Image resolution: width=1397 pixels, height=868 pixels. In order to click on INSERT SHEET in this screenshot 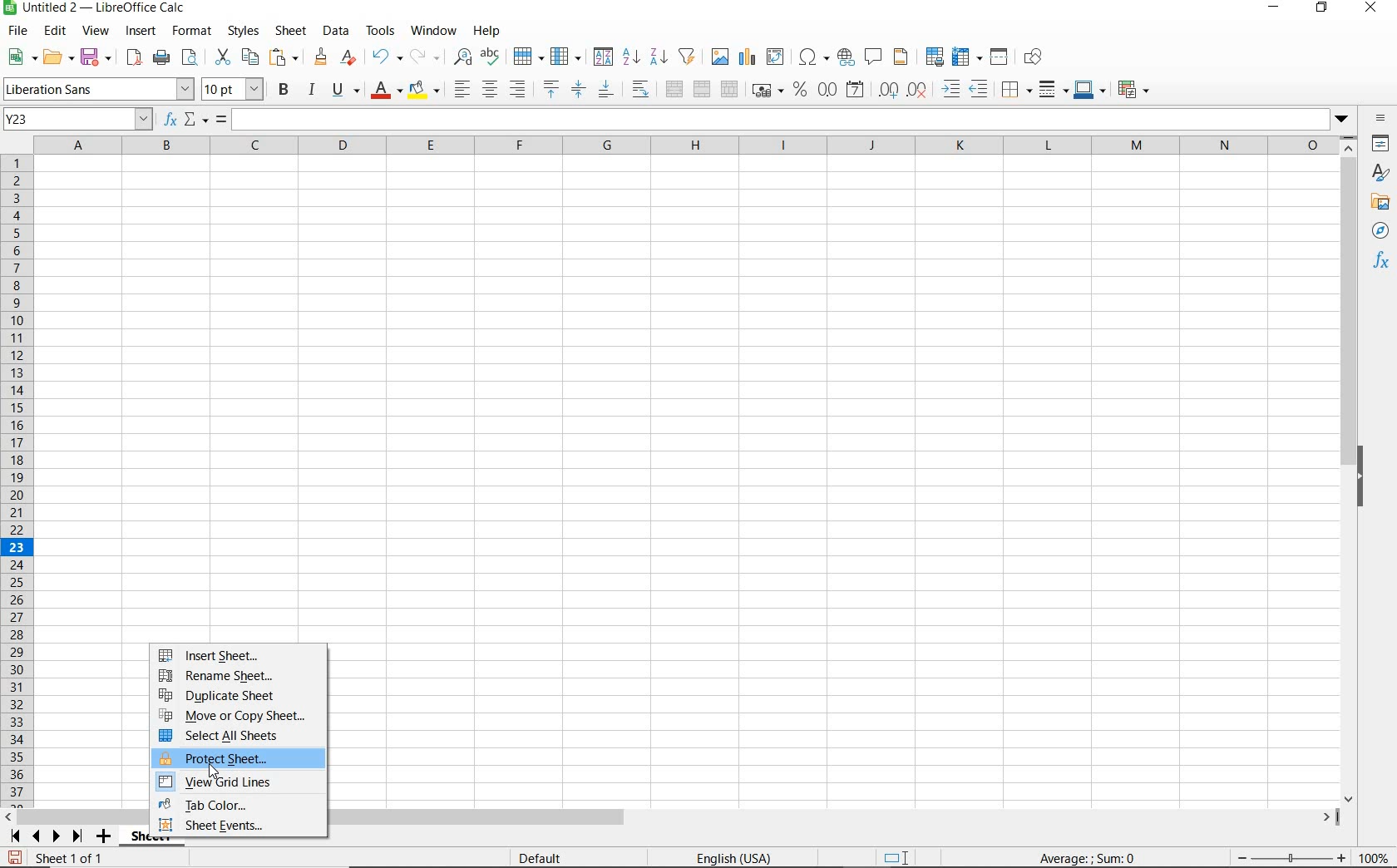, I will do `click(241, 655)`.